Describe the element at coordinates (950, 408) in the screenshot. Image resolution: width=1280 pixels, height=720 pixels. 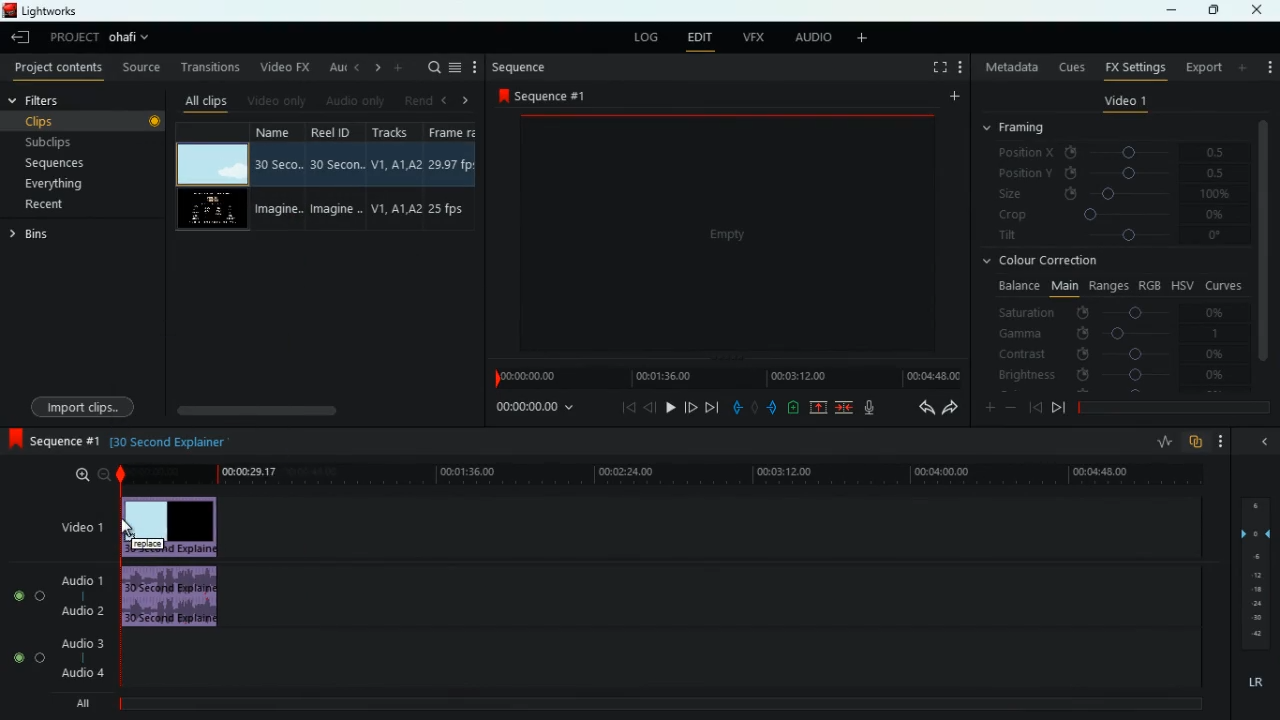
I see `forward` at that location.